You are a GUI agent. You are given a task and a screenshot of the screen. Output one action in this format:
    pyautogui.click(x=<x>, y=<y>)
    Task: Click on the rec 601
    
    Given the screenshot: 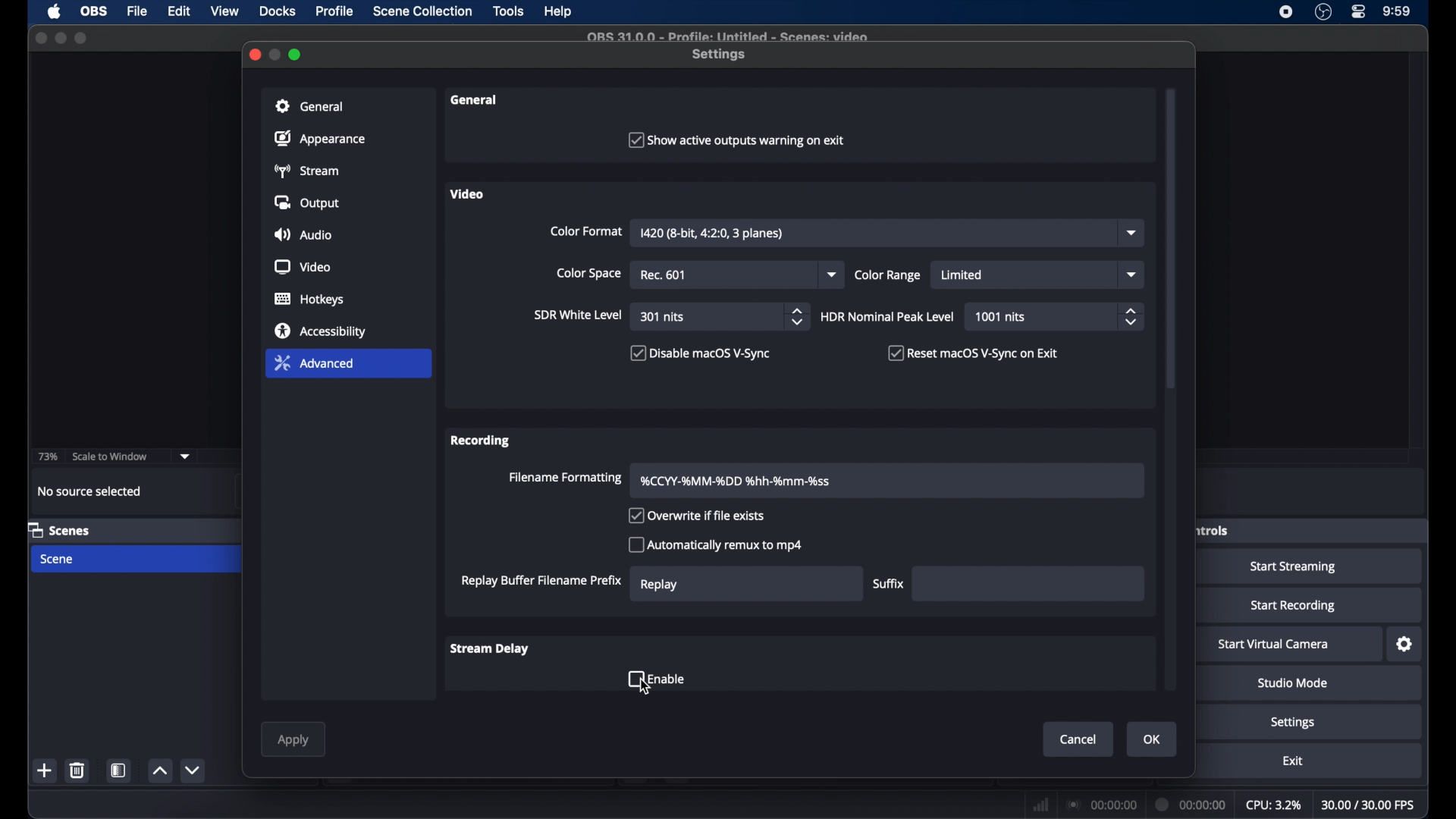 What is the action you would take?
    pyautogui.click(x=663, y=275)
    